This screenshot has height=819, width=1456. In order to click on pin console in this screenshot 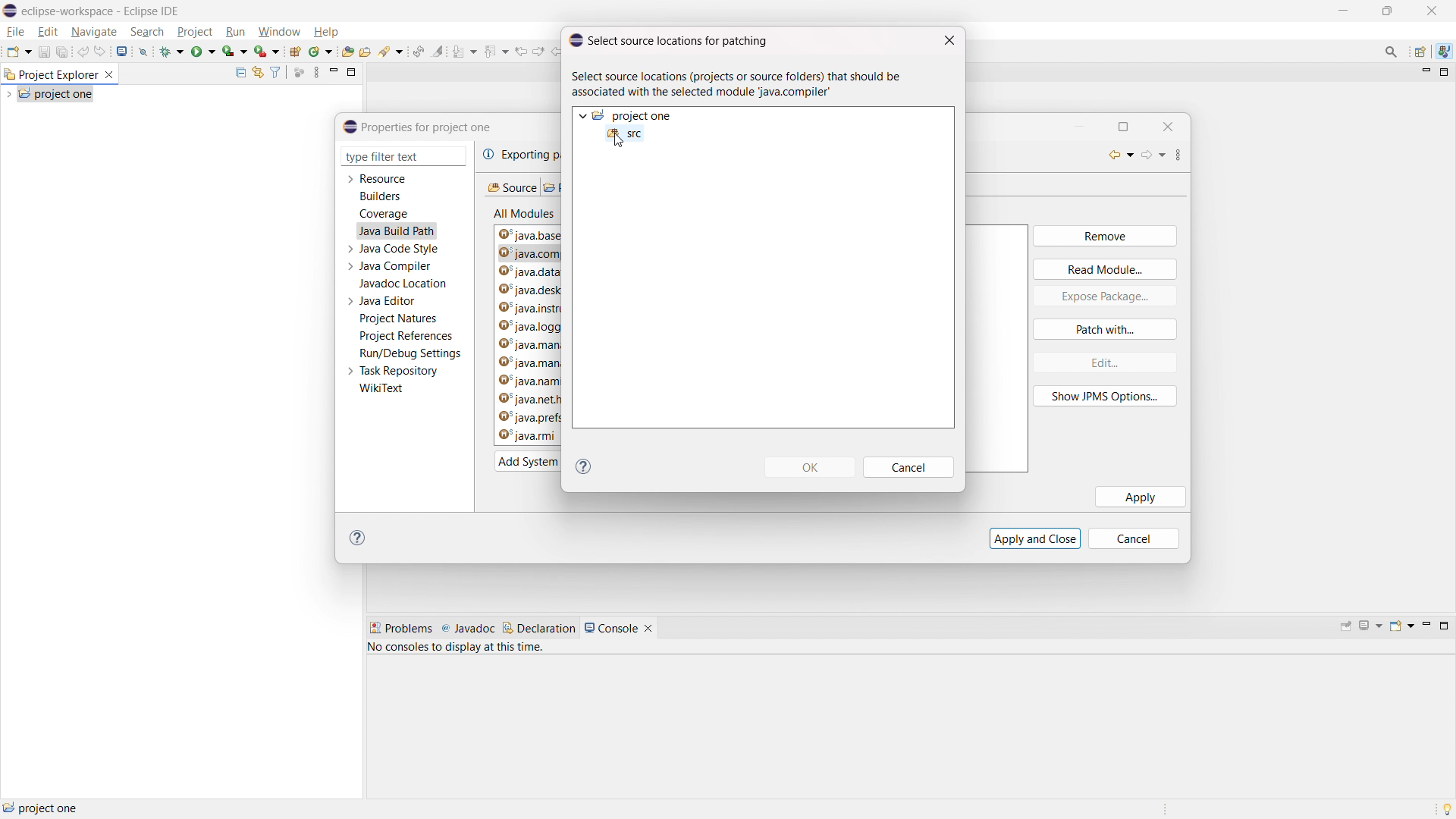, I will do `click(1346, 627)`.